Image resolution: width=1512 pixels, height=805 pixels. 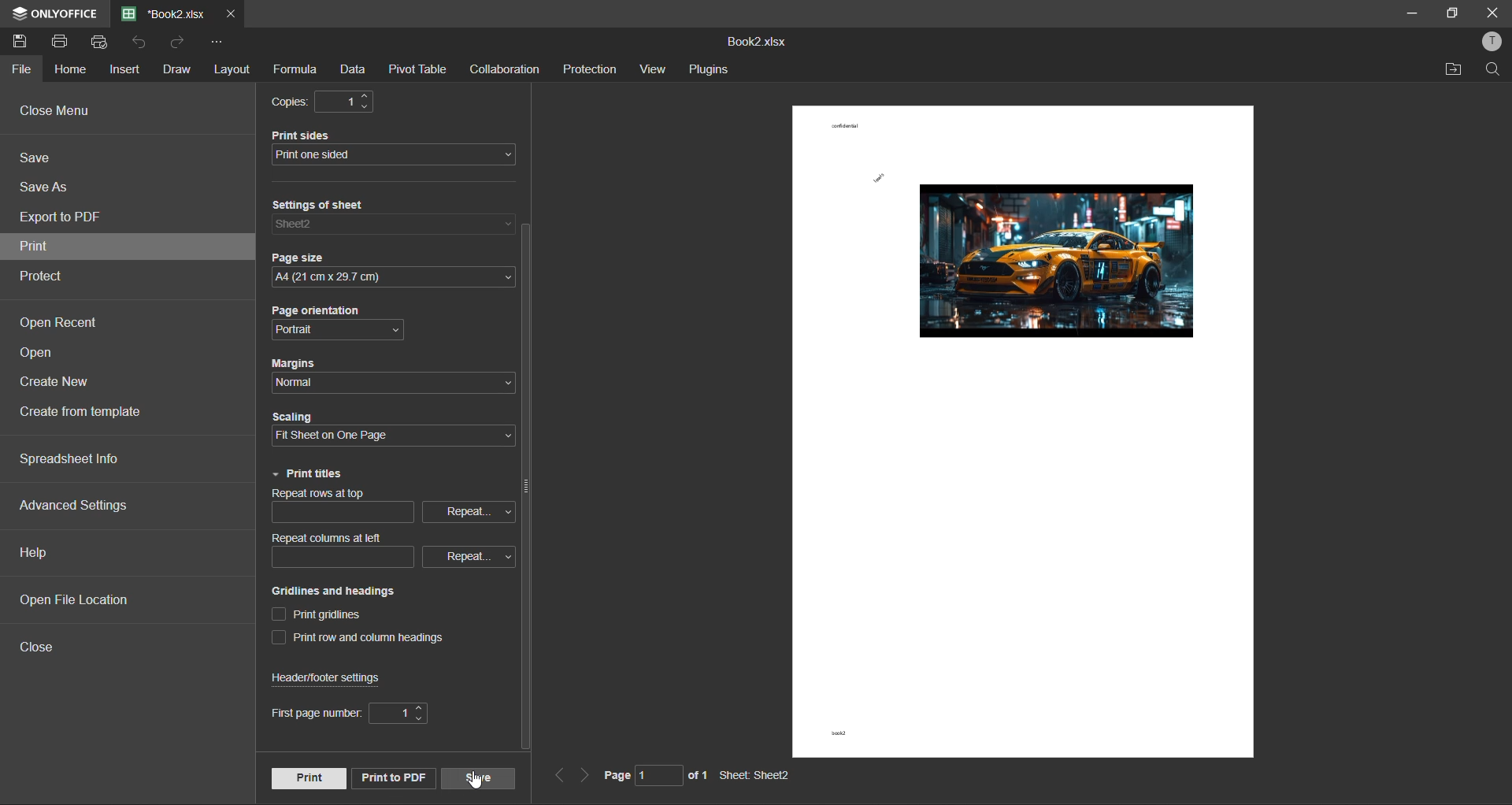 What do you see at coordinates (396, 156) in the screenshot?
I see `print sides` at bounding box center [396, 156].